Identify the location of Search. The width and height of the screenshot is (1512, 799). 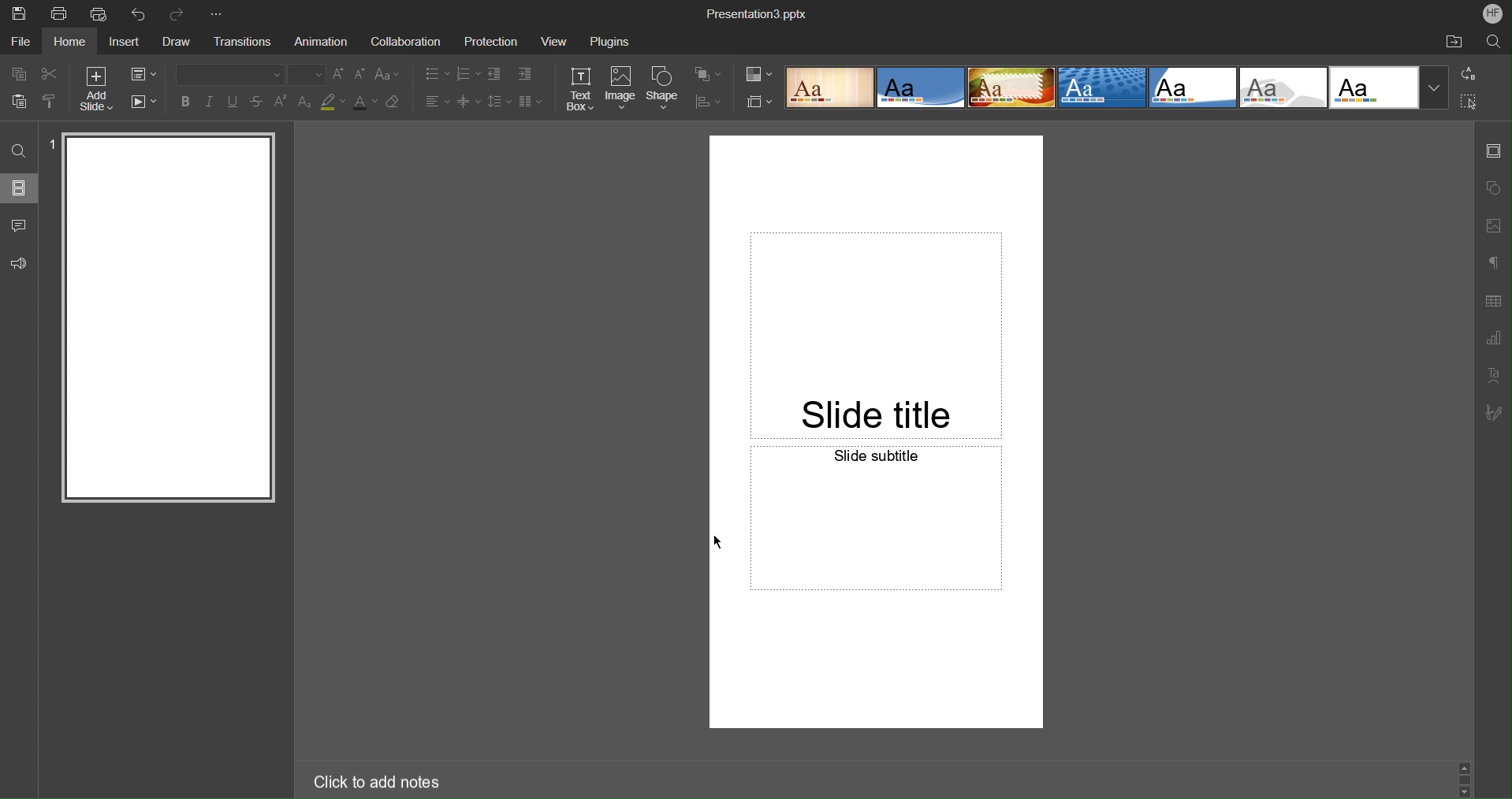
(1492, 43).